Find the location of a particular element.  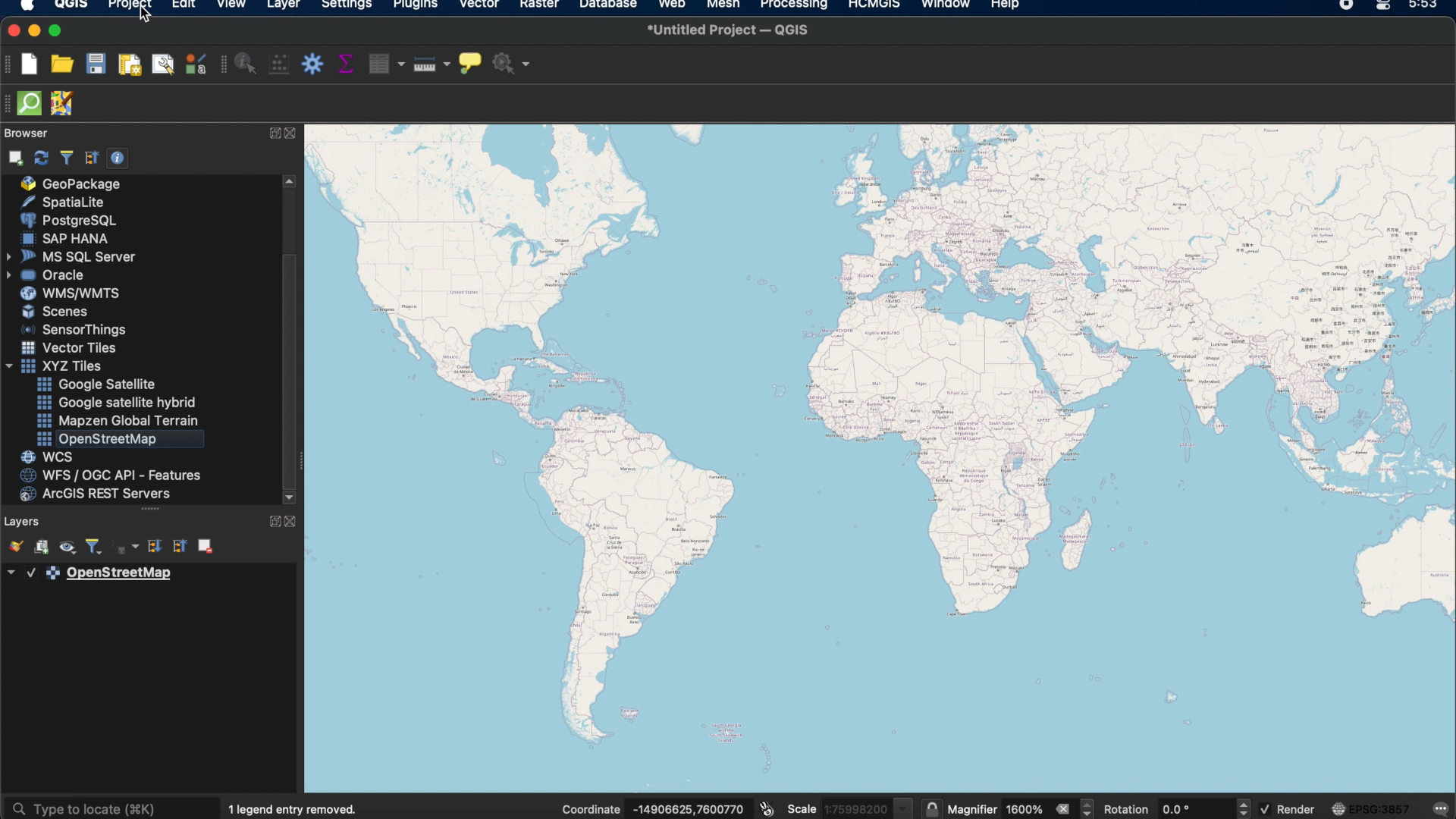

arches rest servers is located at coordinates (97, 493).